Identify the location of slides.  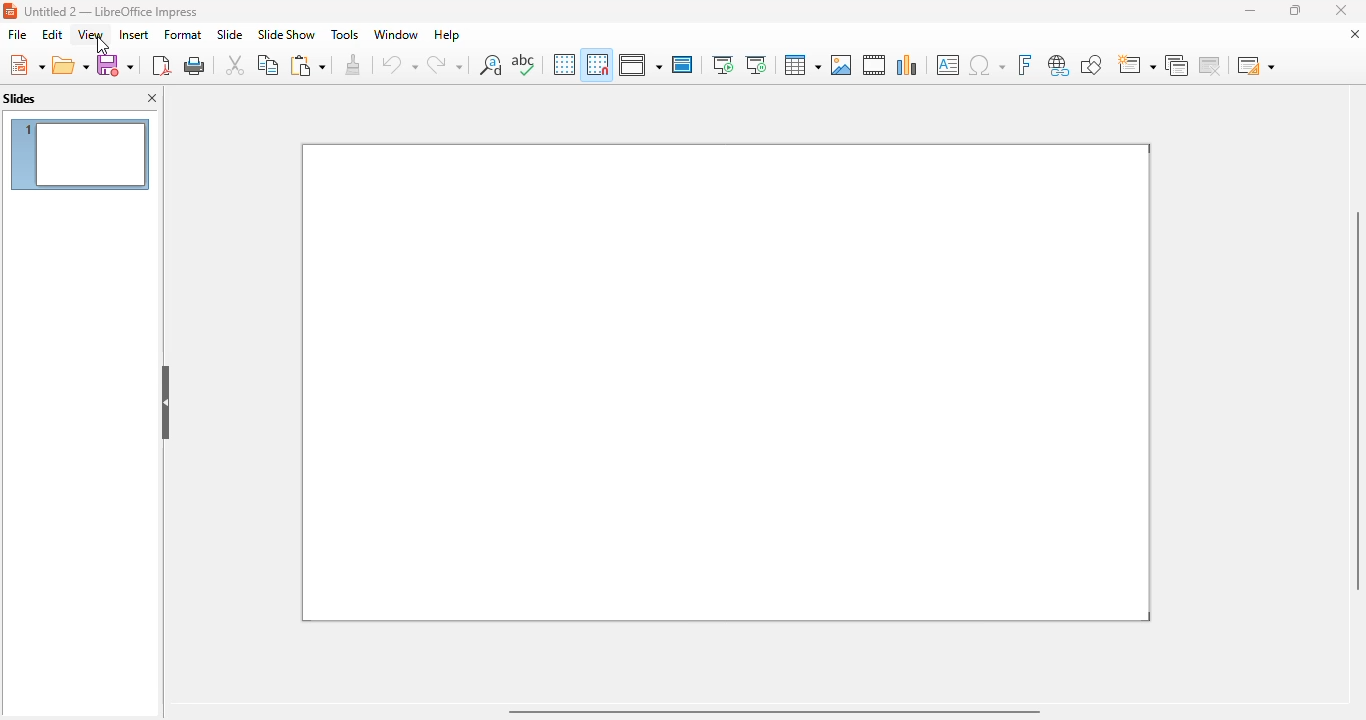
(20, 98).